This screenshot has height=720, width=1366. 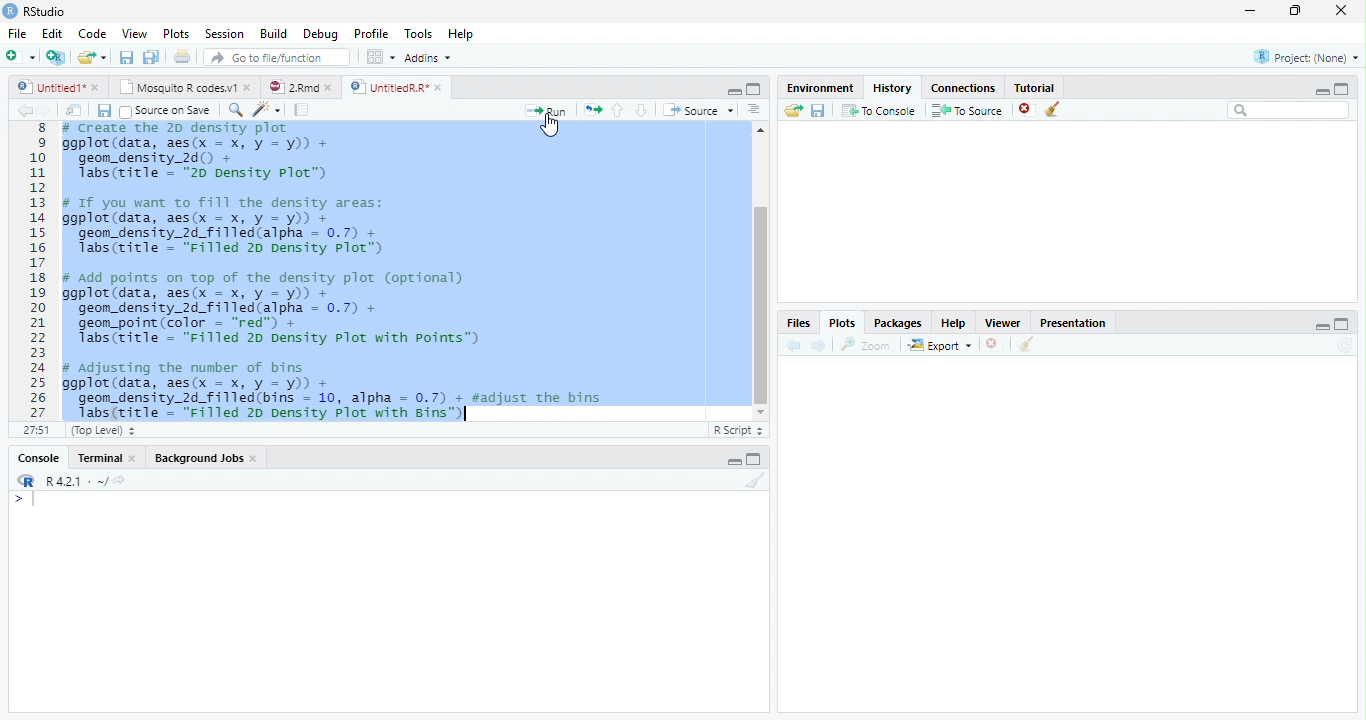 I want to click on Source, so click(x=698, y=110).